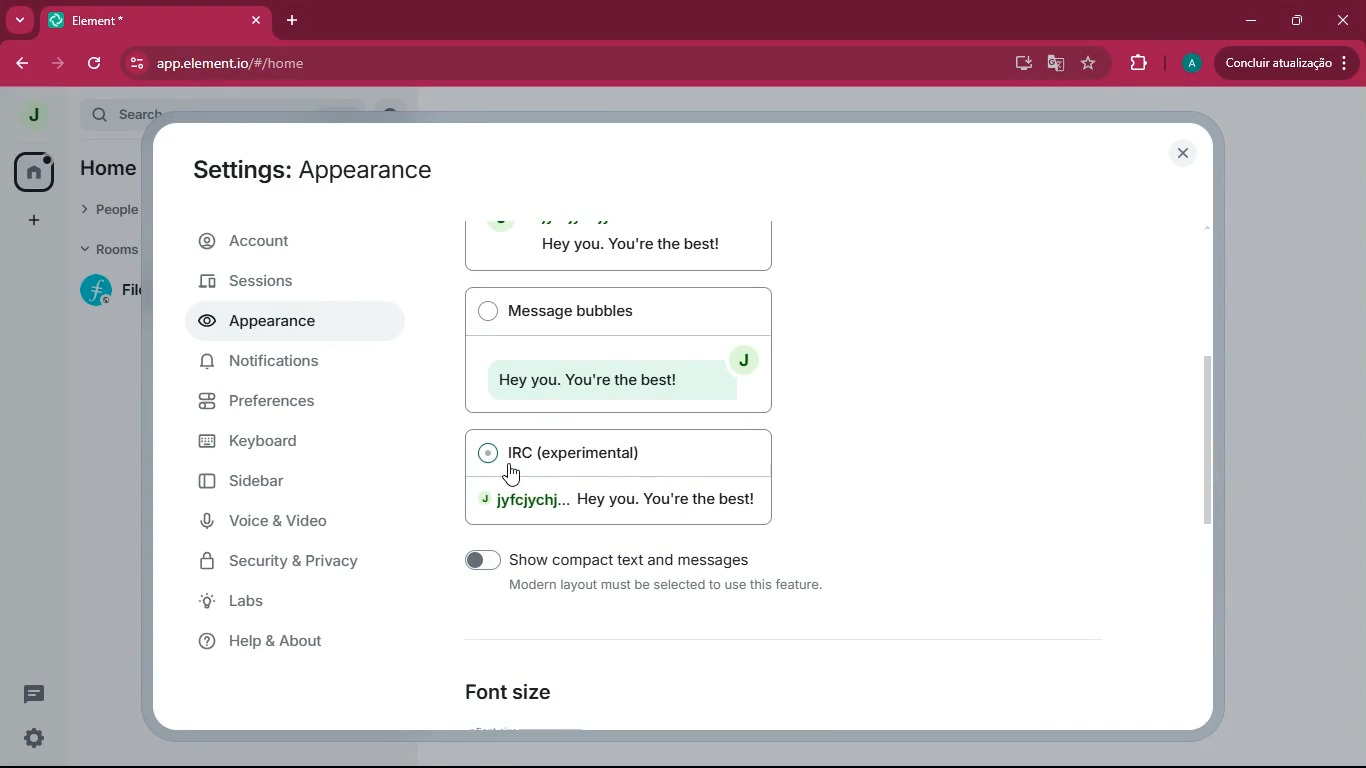 This screenshot has height=768, width=1366. What do you see at coordinates (20, 19) in the screenshot?
I see `more` at bounding box center [20, 19].